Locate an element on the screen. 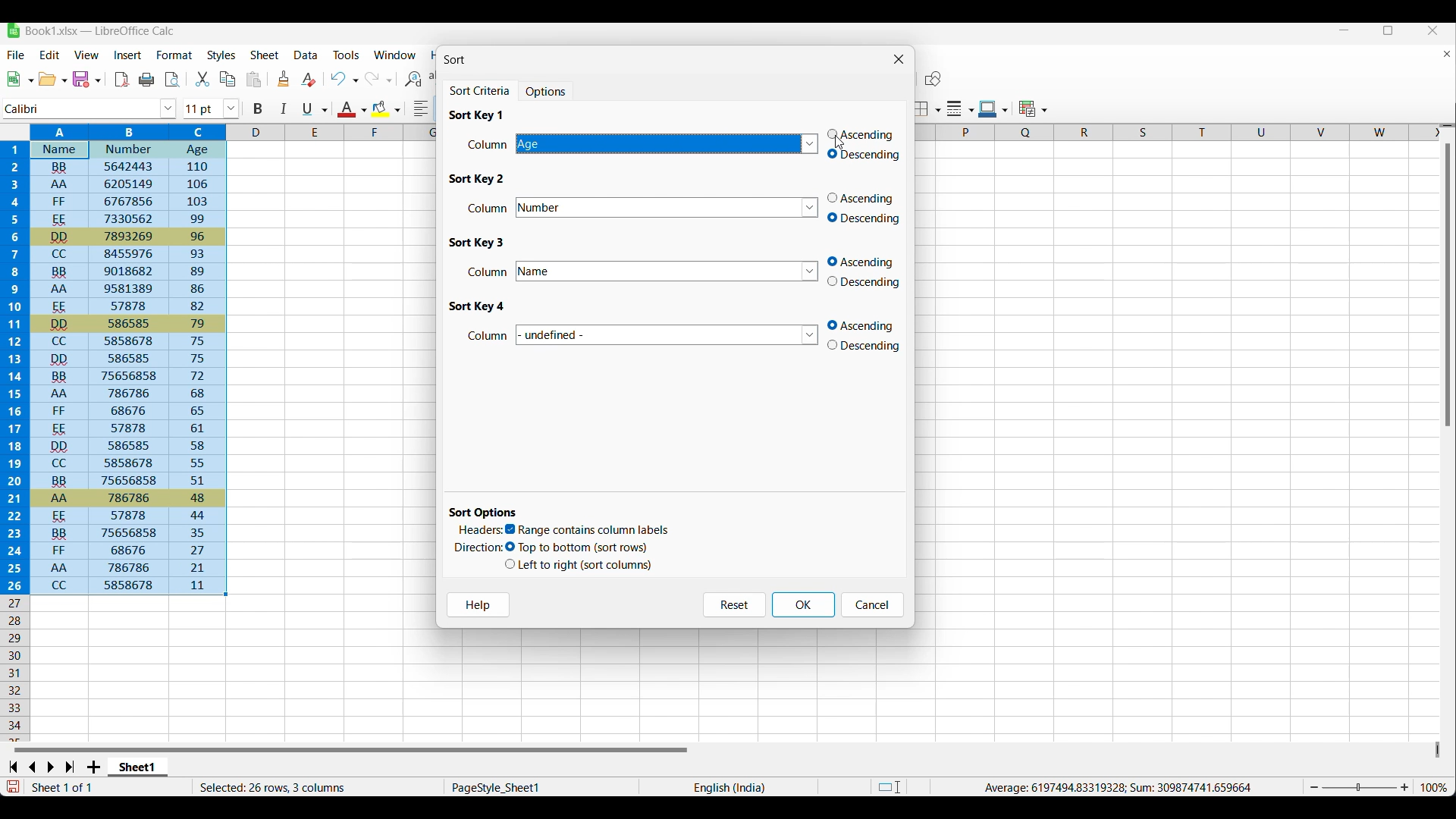 This screenshot has width=1456, height=819. column name is located at coordinates (670, 209).